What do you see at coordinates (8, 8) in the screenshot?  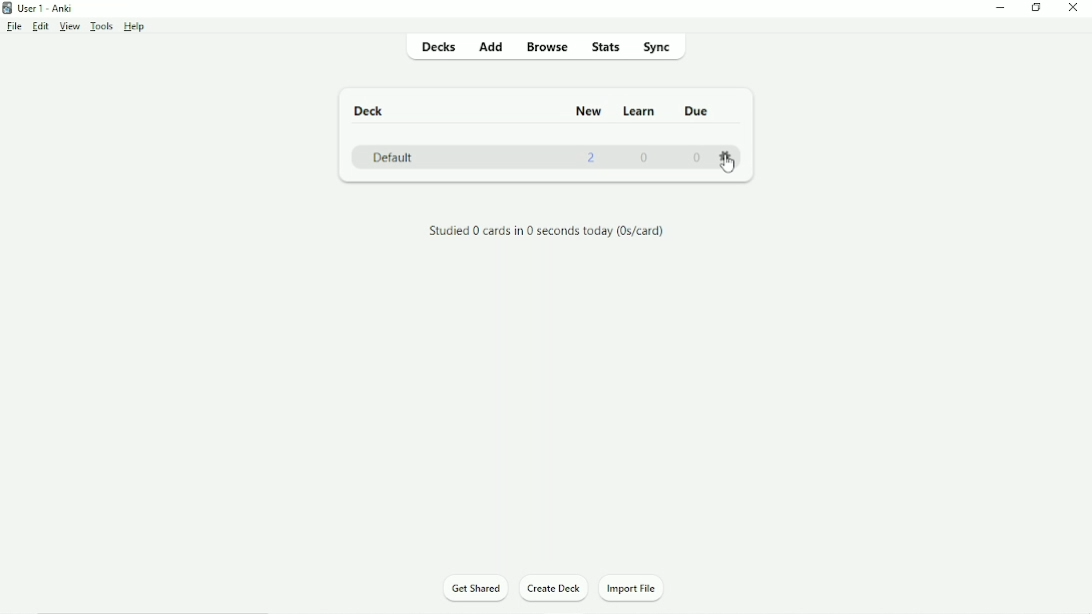 I see `Anki logo` at bounding box center [8, 8].